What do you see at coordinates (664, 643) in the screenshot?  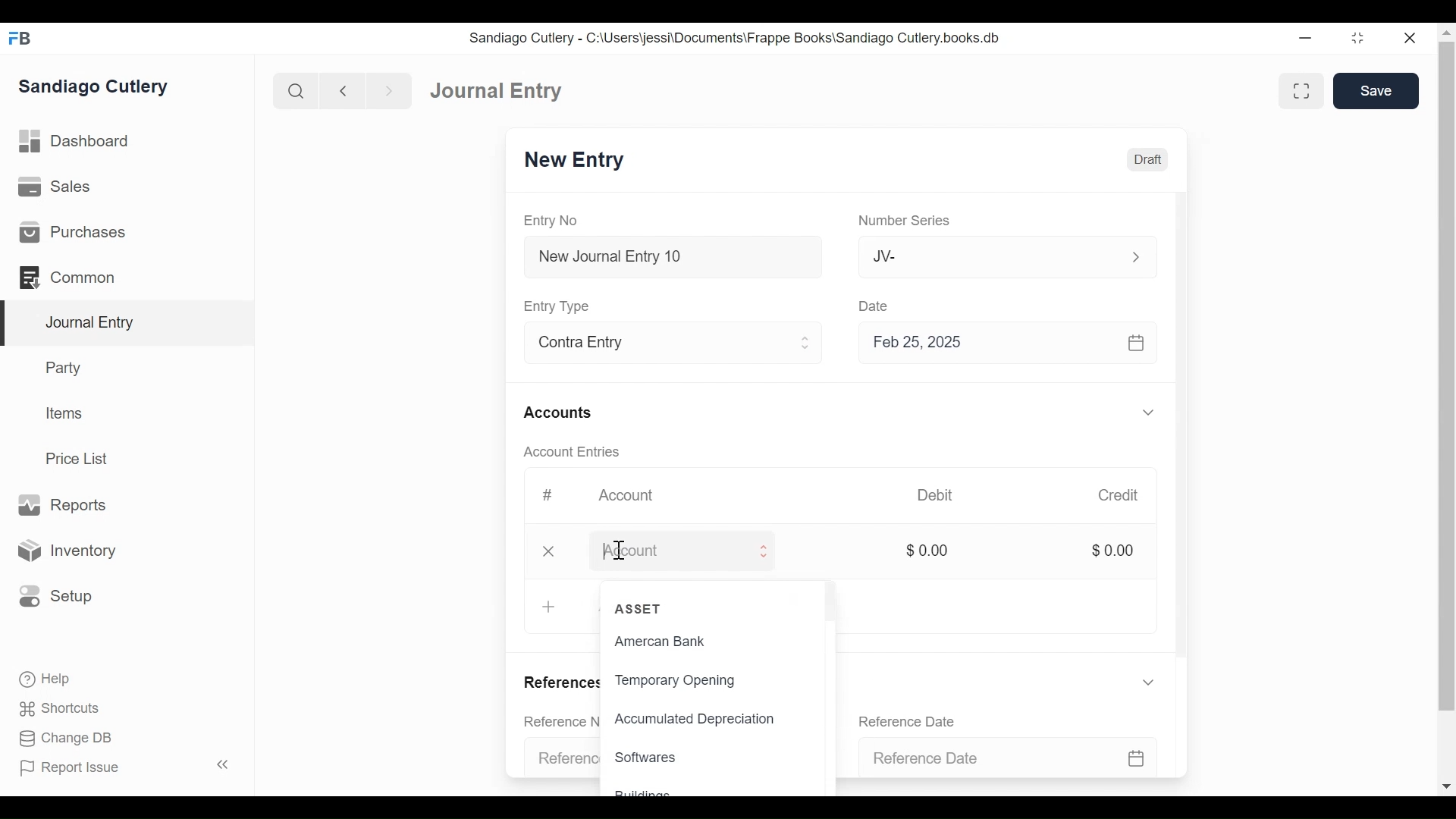 I see `Amercan Bank` at bounding box center [664, 643].